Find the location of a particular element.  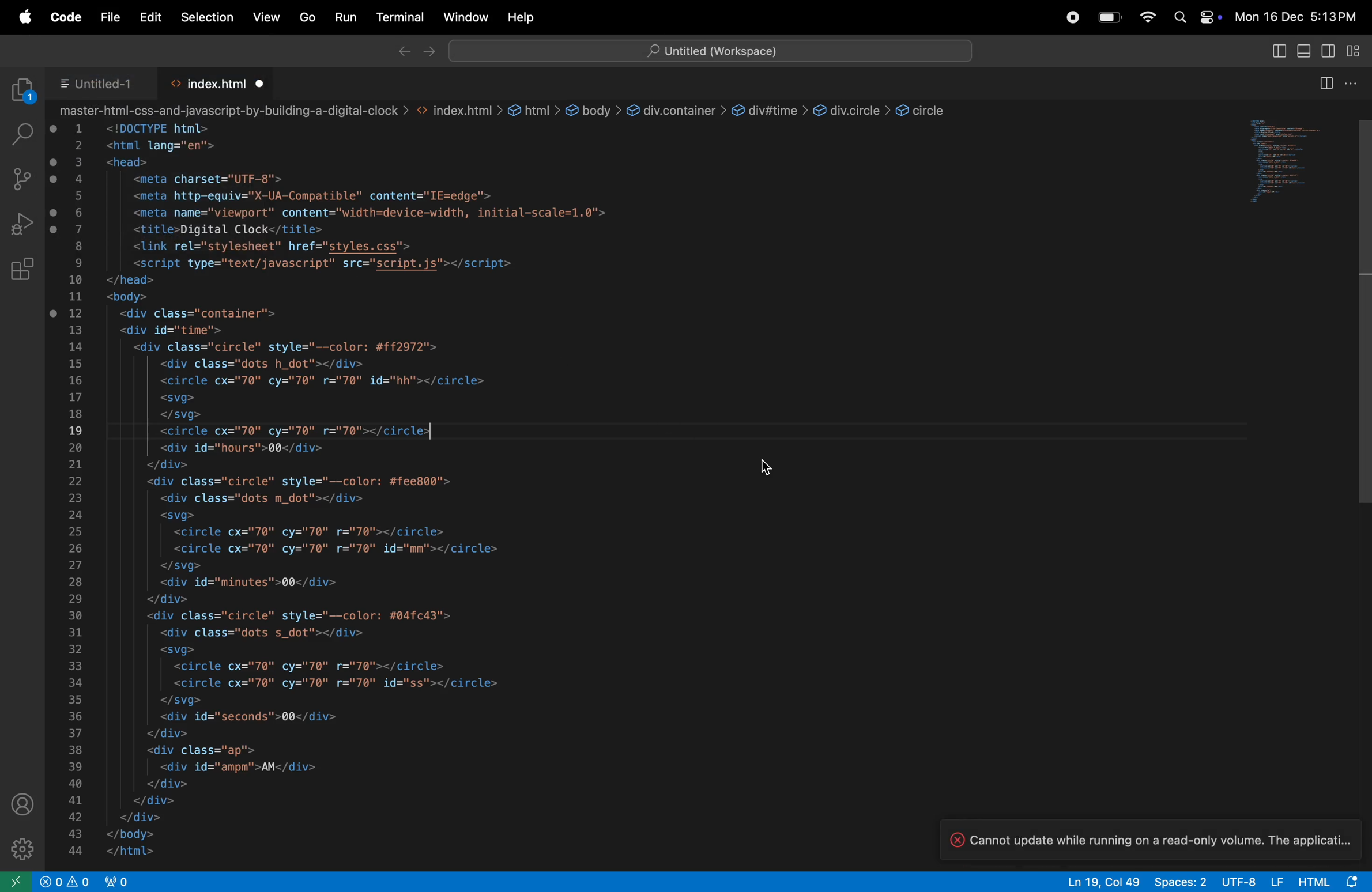

apple menu is located at coordinates (22, 20).